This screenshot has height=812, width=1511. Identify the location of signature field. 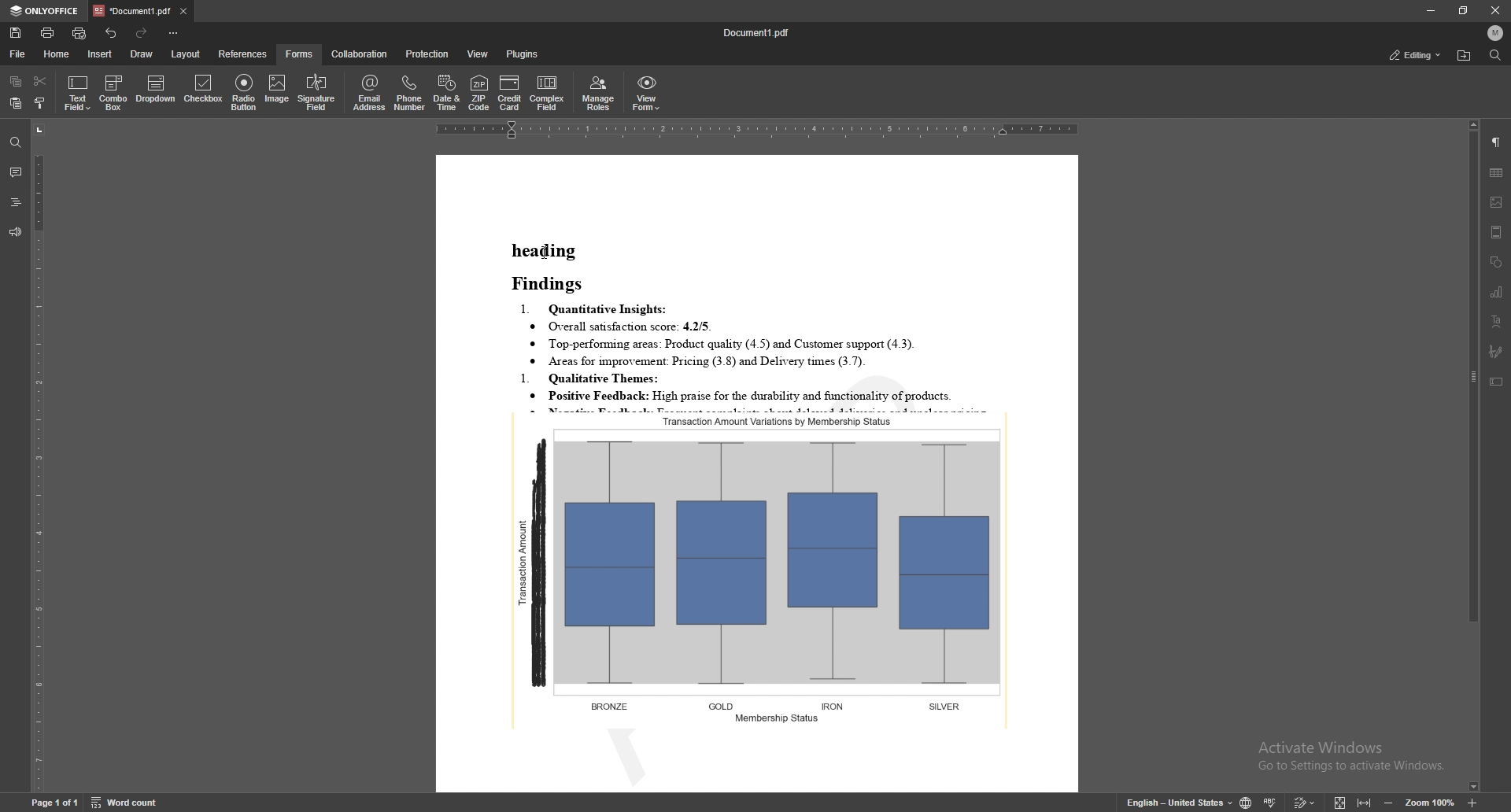
(317, 92).